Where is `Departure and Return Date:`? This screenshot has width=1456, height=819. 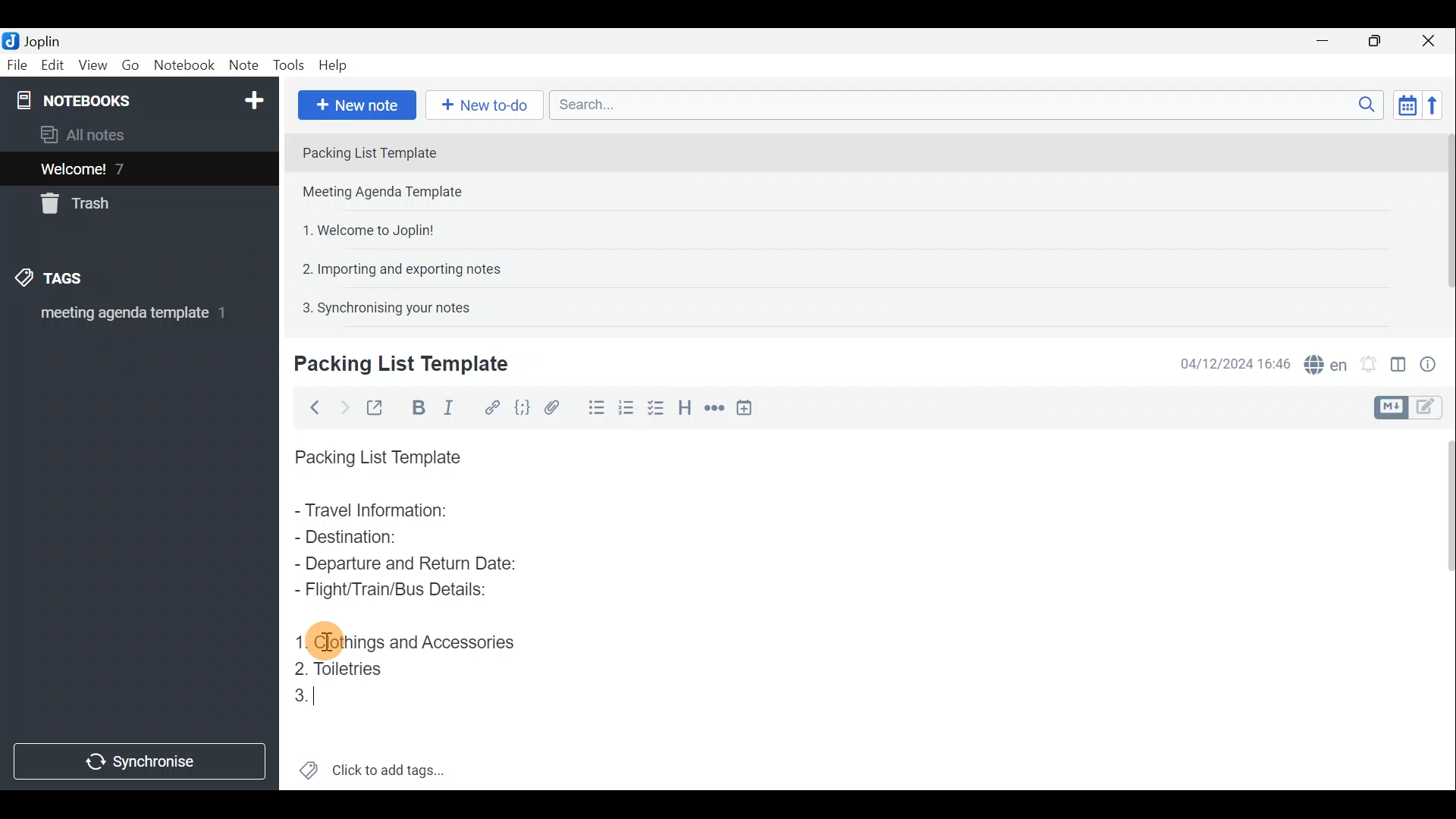
Departure and Return Date: is located at coordinates (406, 563).